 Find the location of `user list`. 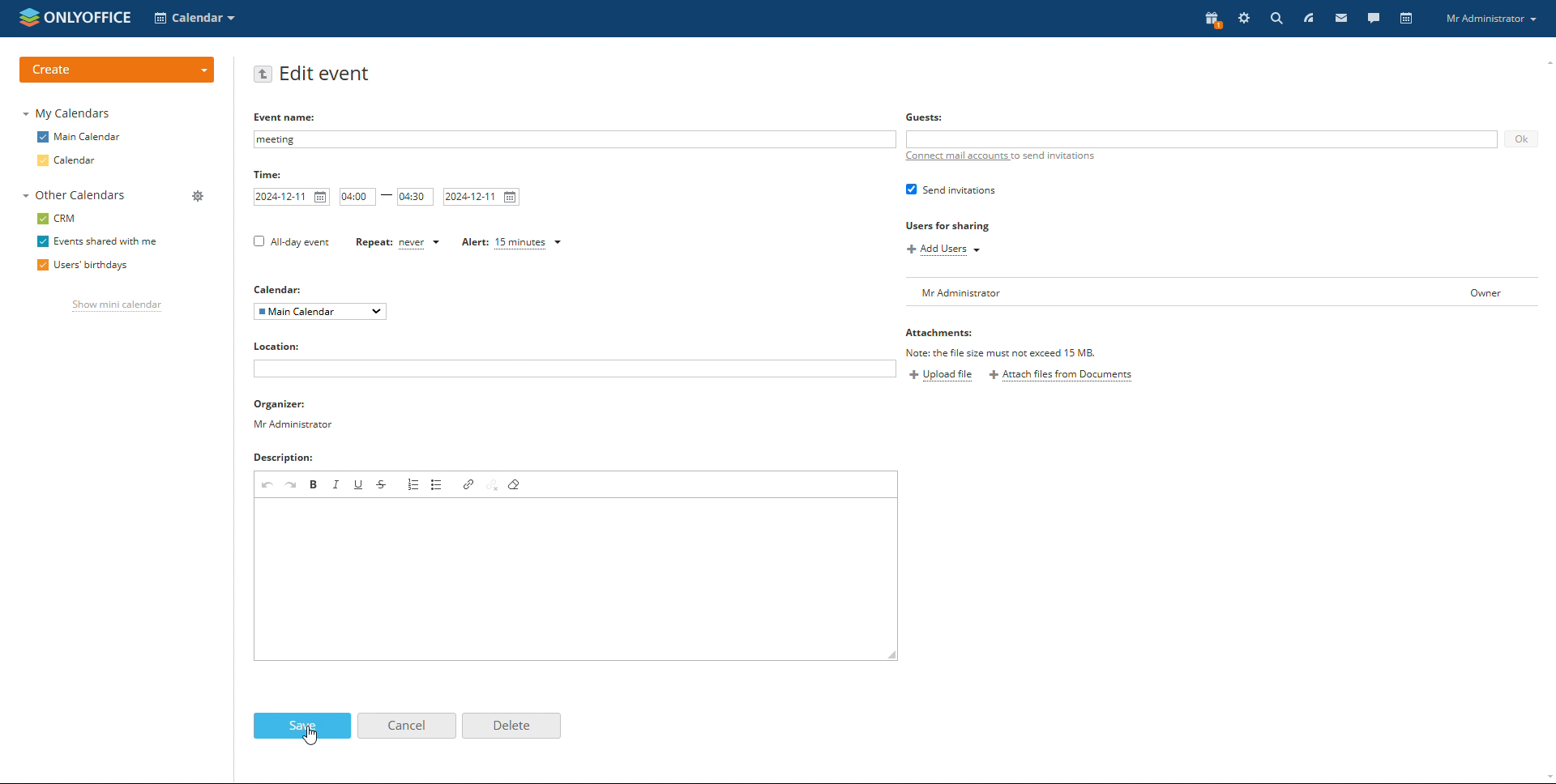

user list is located at coordinates (1225, 292).